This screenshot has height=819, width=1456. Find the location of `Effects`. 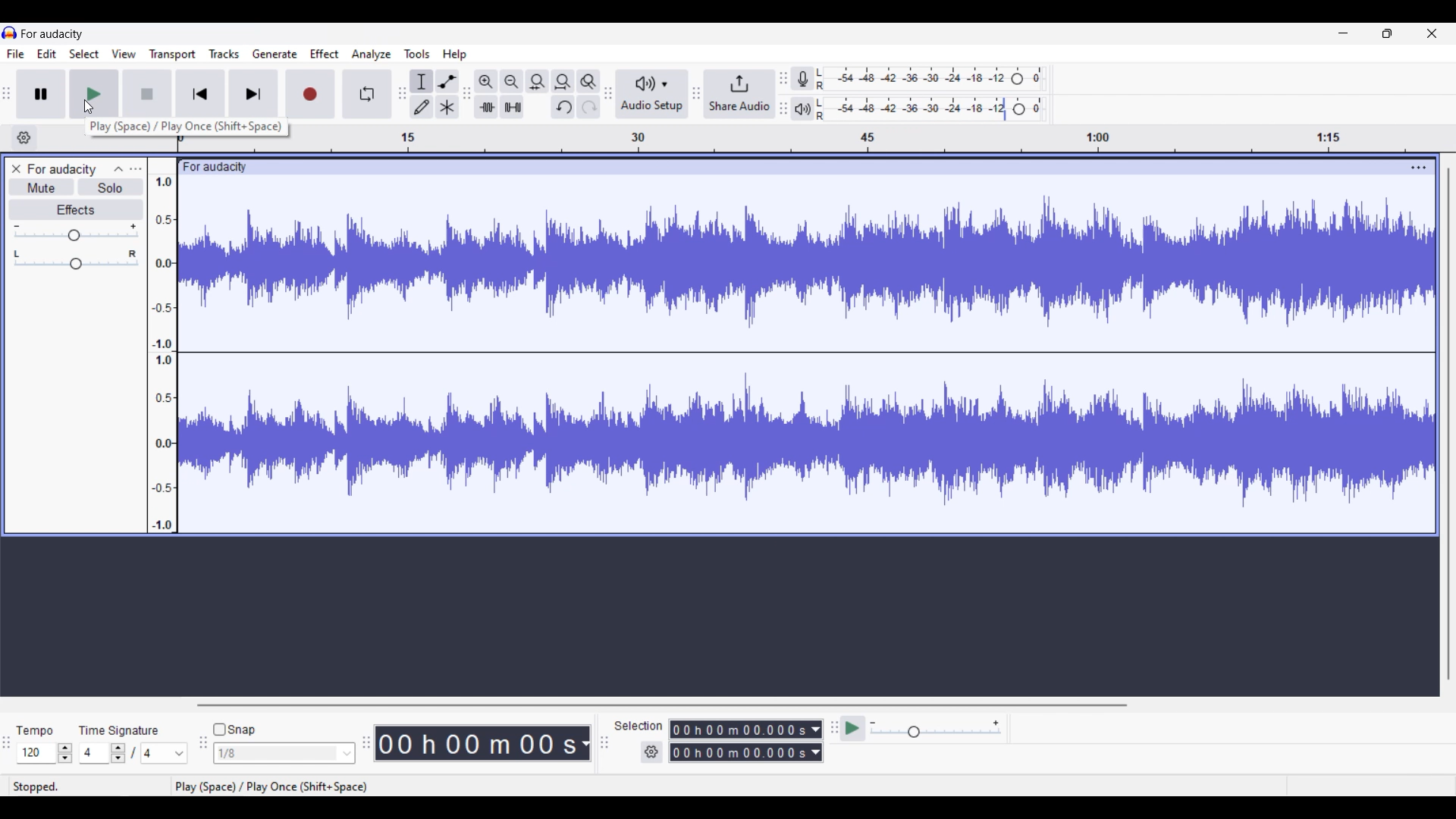

Effects is located at coordinates (77, 210).